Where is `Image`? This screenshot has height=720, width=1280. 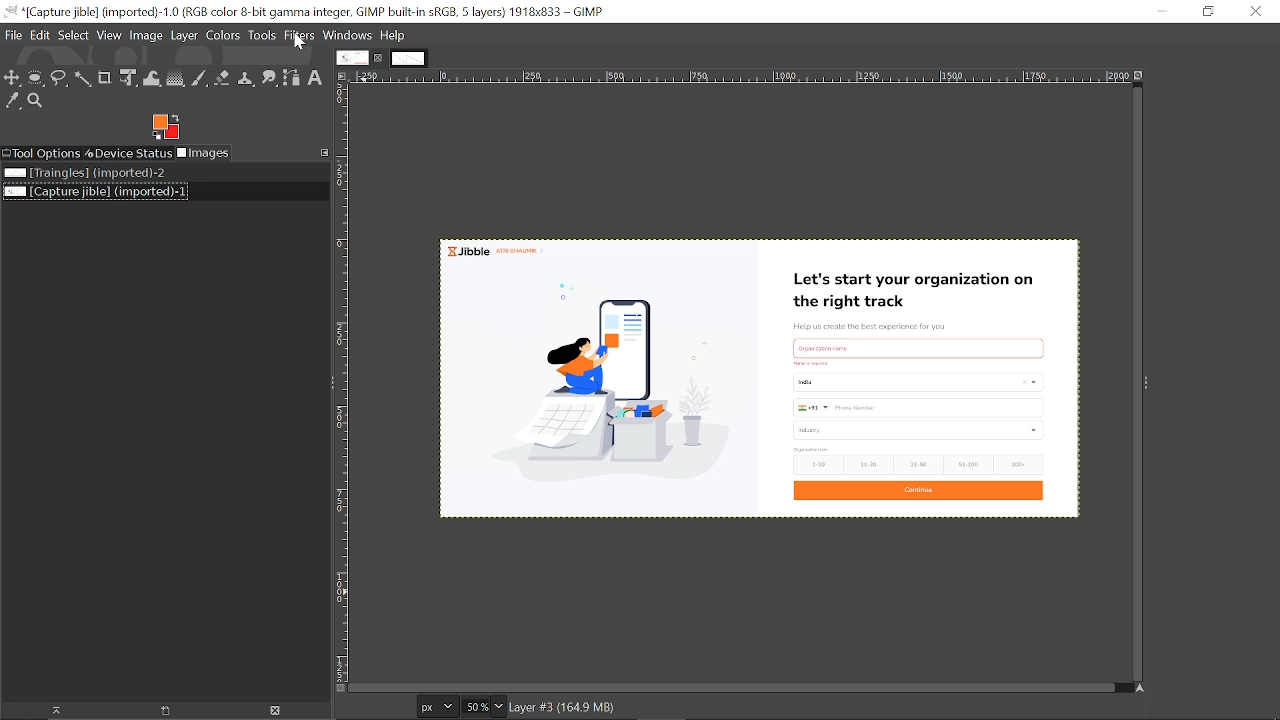
Image is located at coordinates (147, 36).